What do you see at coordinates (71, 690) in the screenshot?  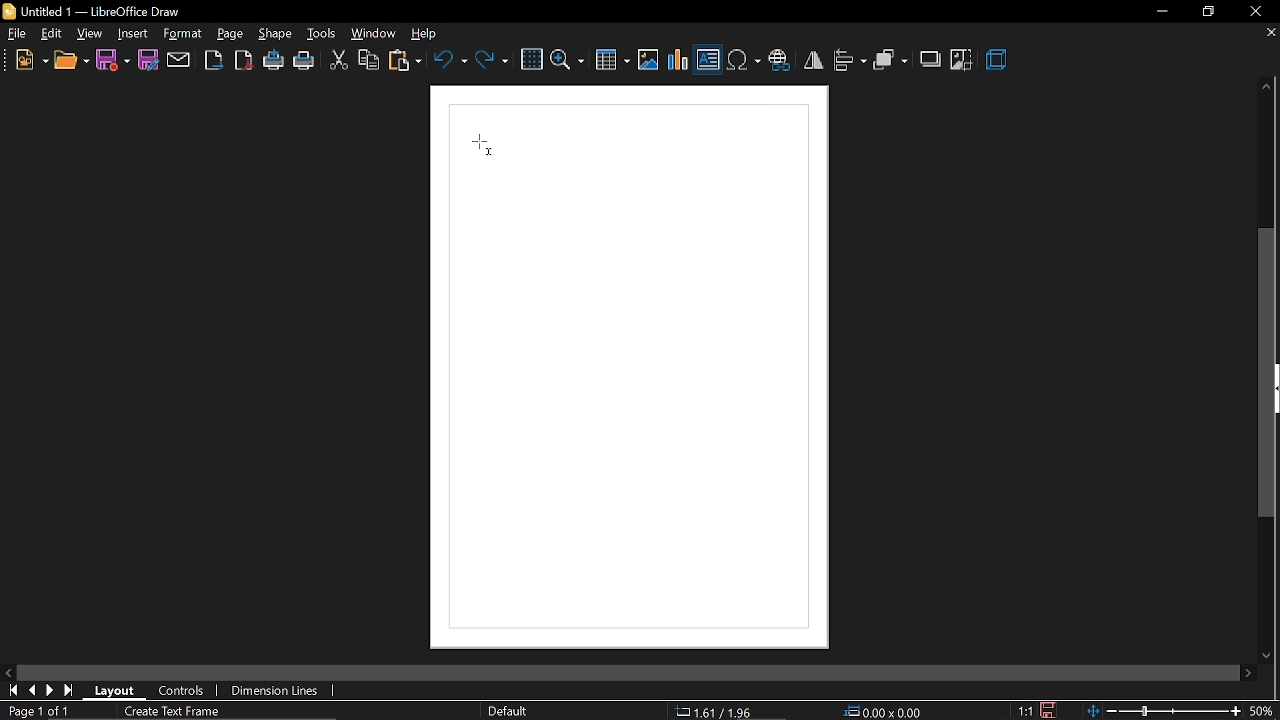 I see `next page` at bounding box center [71, 690].